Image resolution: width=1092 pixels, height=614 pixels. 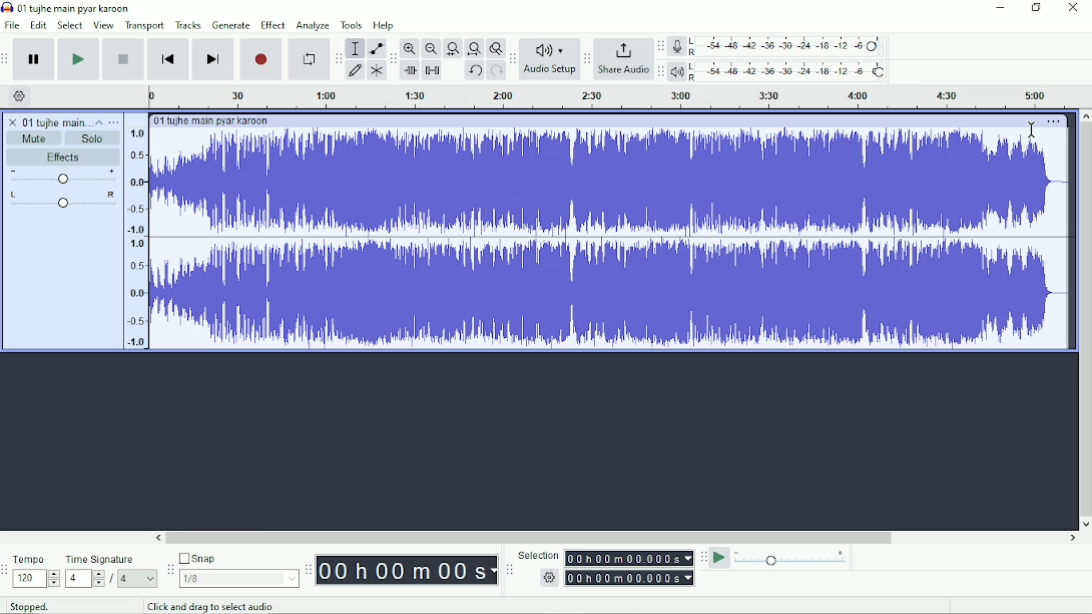 I want to click on settings, so click(x=549, y=577).